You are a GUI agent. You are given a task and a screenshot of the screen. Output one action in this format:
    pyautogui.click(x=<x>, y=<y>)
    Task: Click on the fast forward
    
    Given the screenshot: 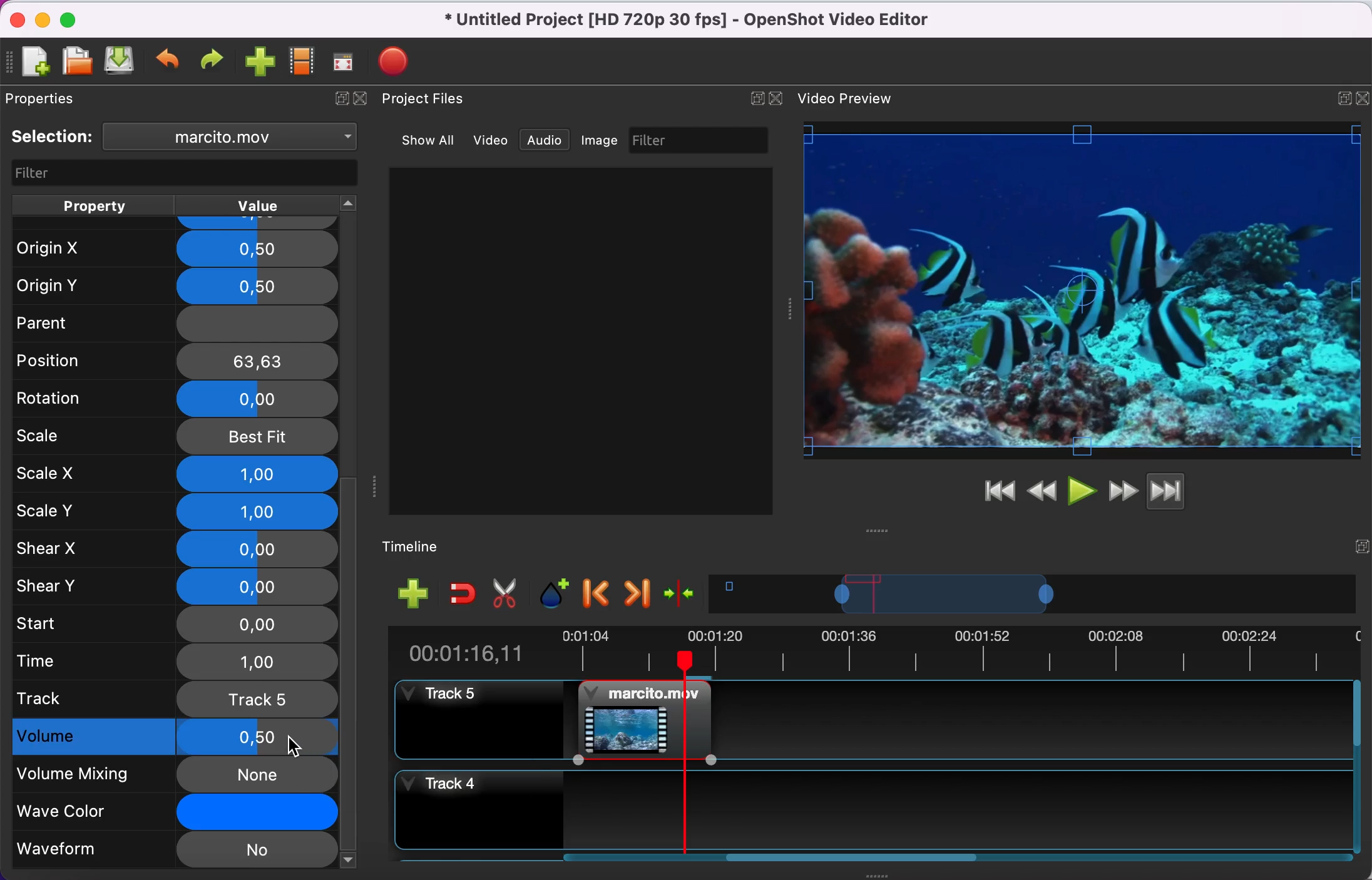 What is the action you would take?
    pyautogui.click(x=1122, y=489)
    